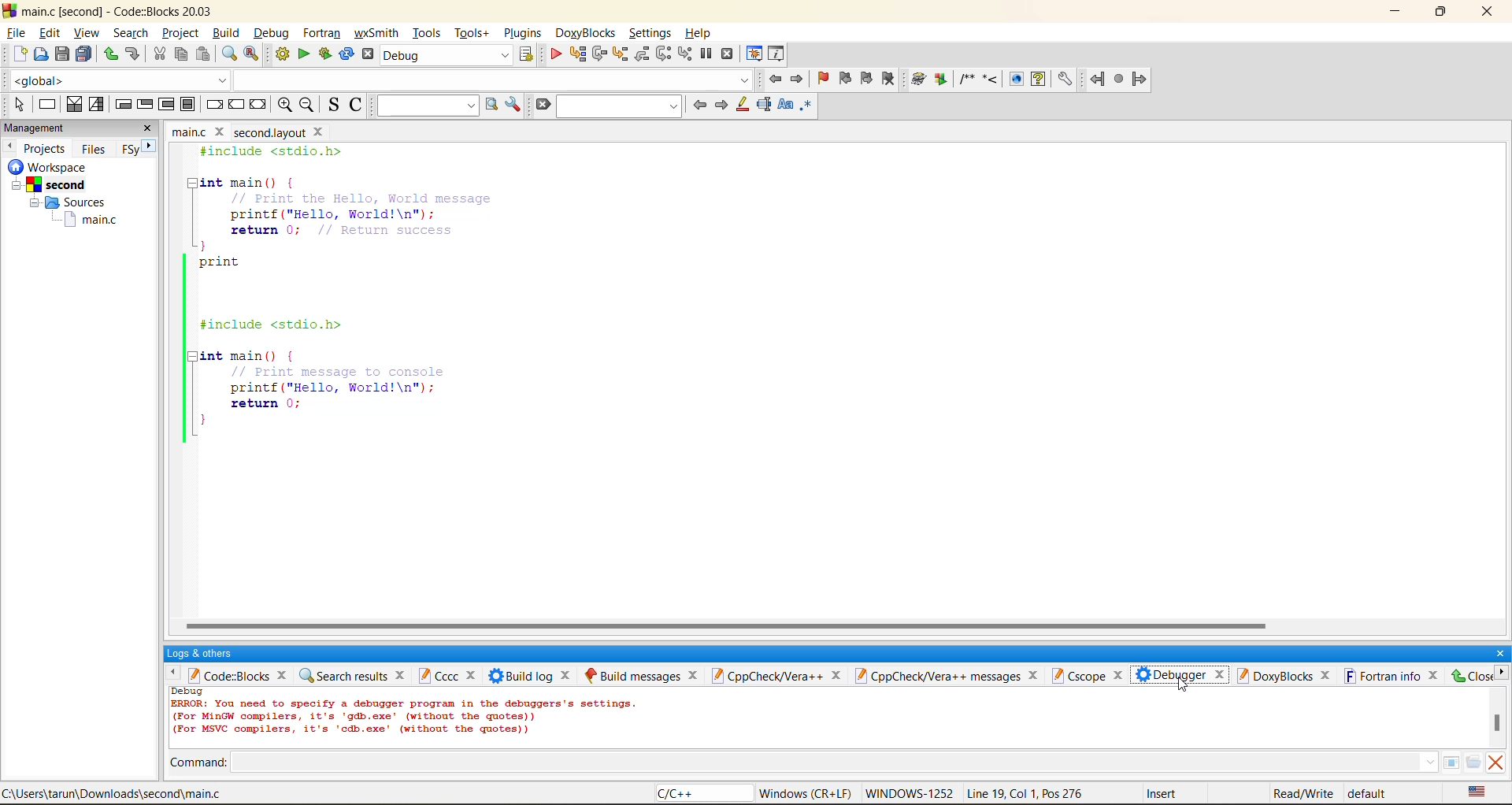 The width and height of the screenshot is (1512, 805). What do you see at coordinates (534, 675) in the screenshot?
I see `build log` at bounding box center [534, 675].